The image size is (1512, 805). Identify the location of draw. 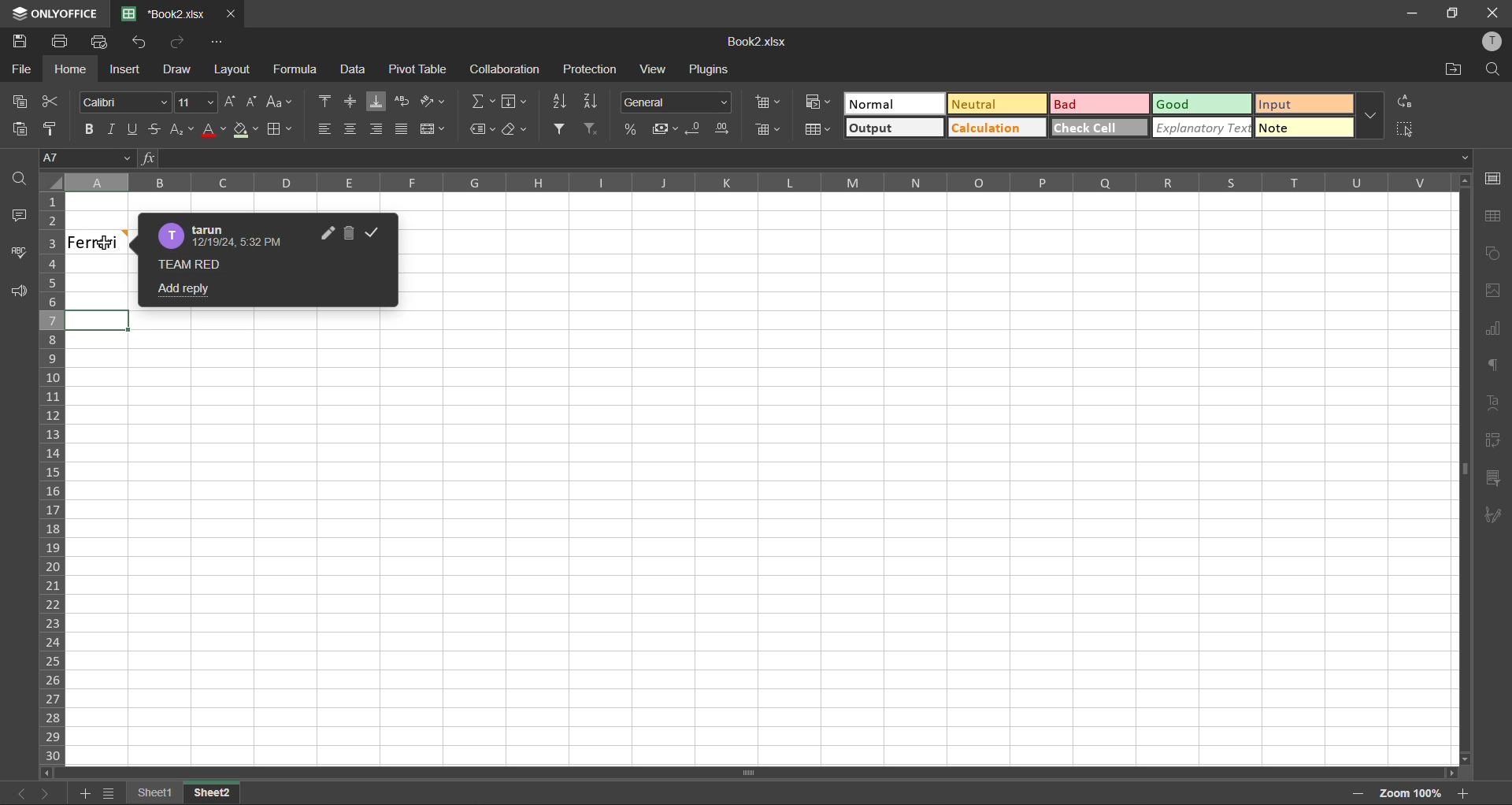
(180, 69).